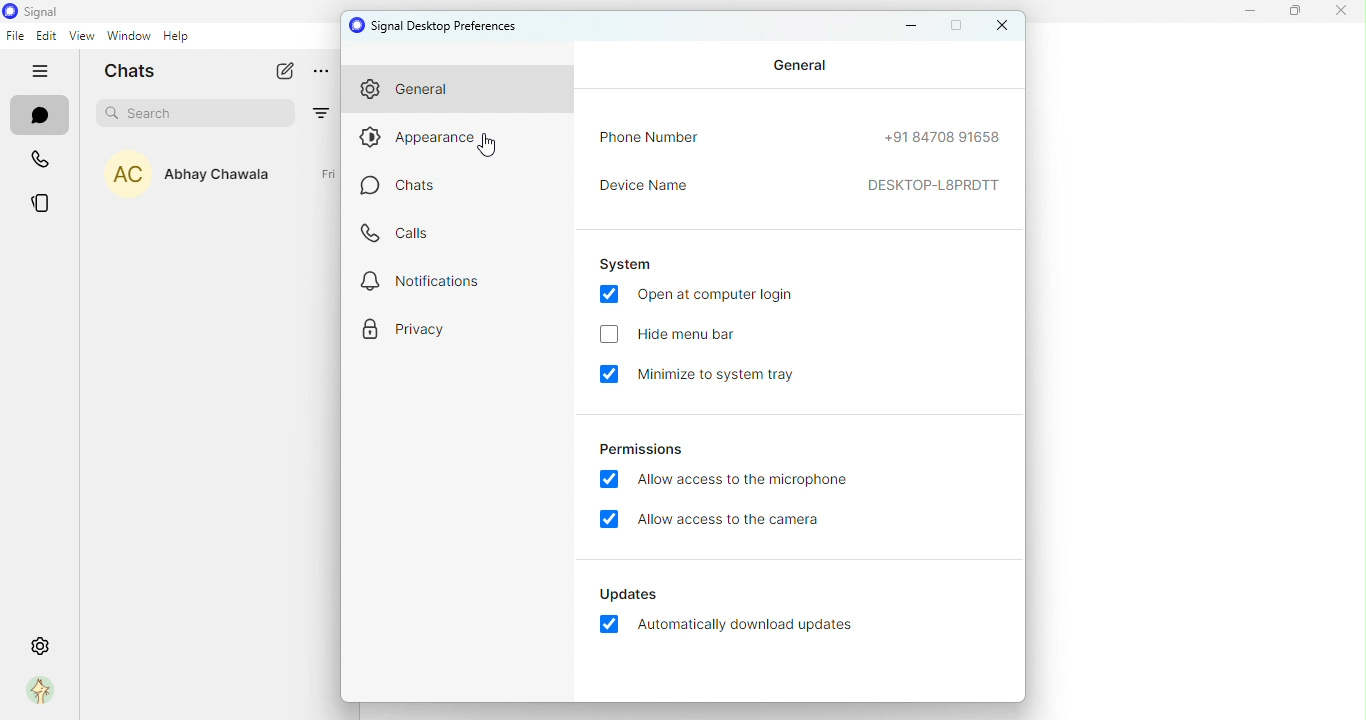 This screenshot has height=720, width=1366. What do you see at coordinates (805, 67) in the screenshot?
I see `general` at bounding box center [805, 67].